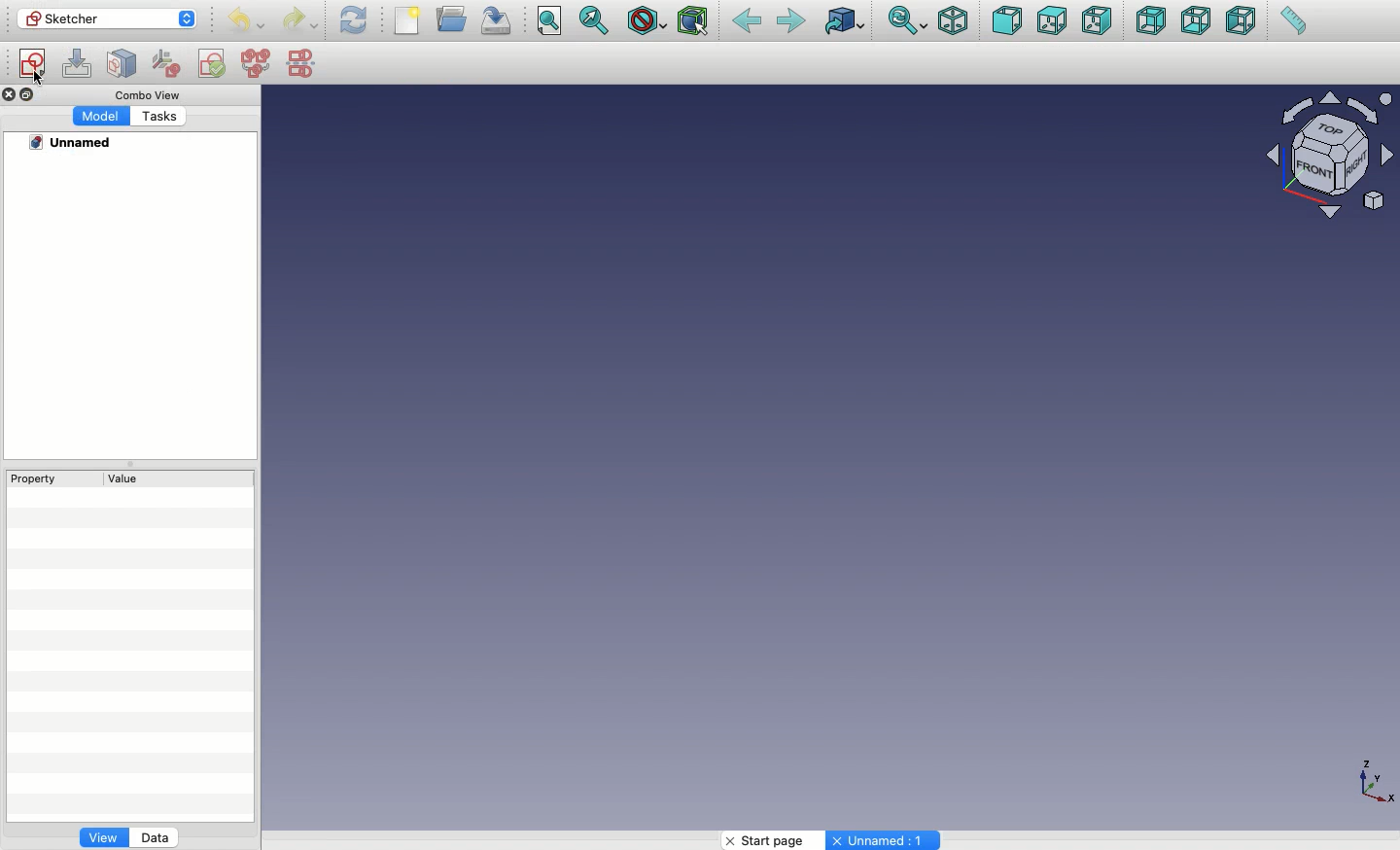 This screenshot has height=850, width=1400. I want to click on , so click(40, 80).